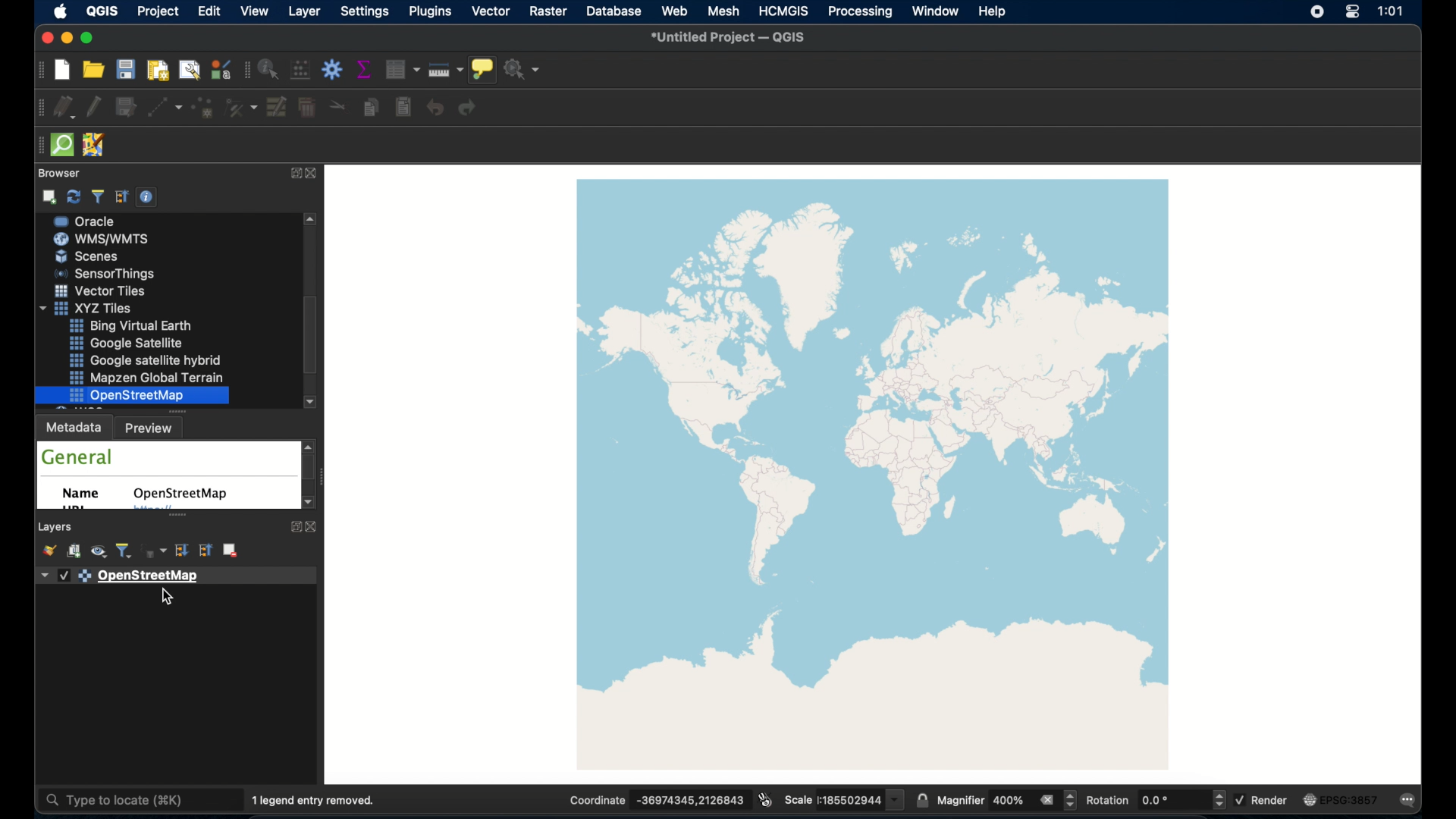 The width and height of the screenshot is (1456, 819). I want to click on enable/disable properties widget, so click(146, 196).